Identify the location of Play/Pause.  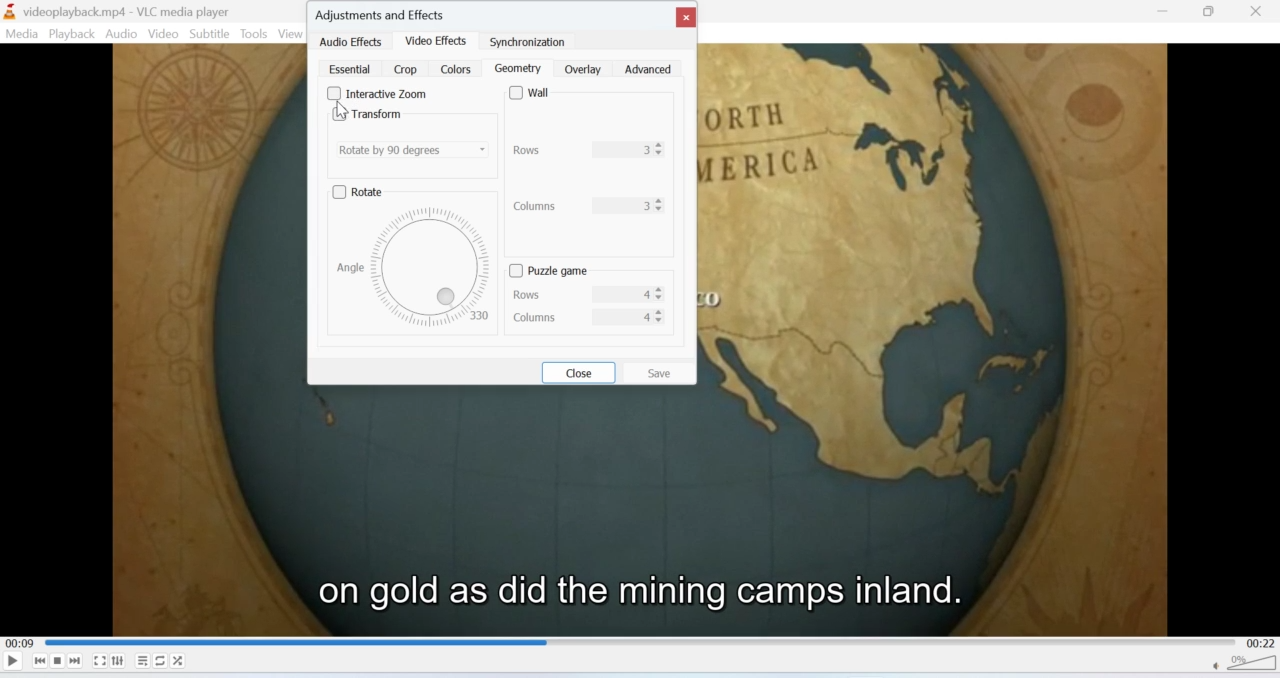
(13, 660).